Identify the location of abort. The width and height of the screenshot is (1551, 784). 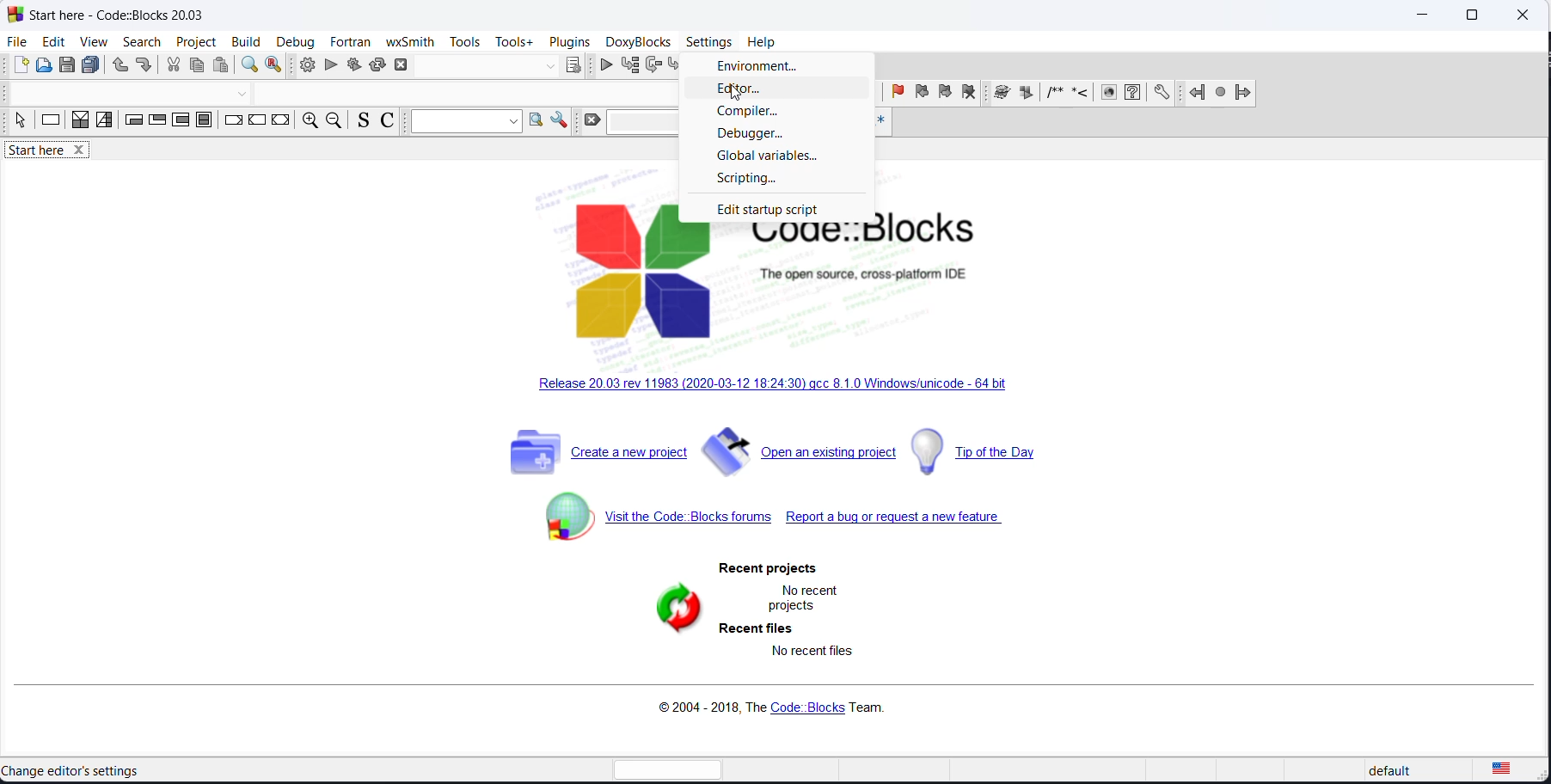
(401, 65).